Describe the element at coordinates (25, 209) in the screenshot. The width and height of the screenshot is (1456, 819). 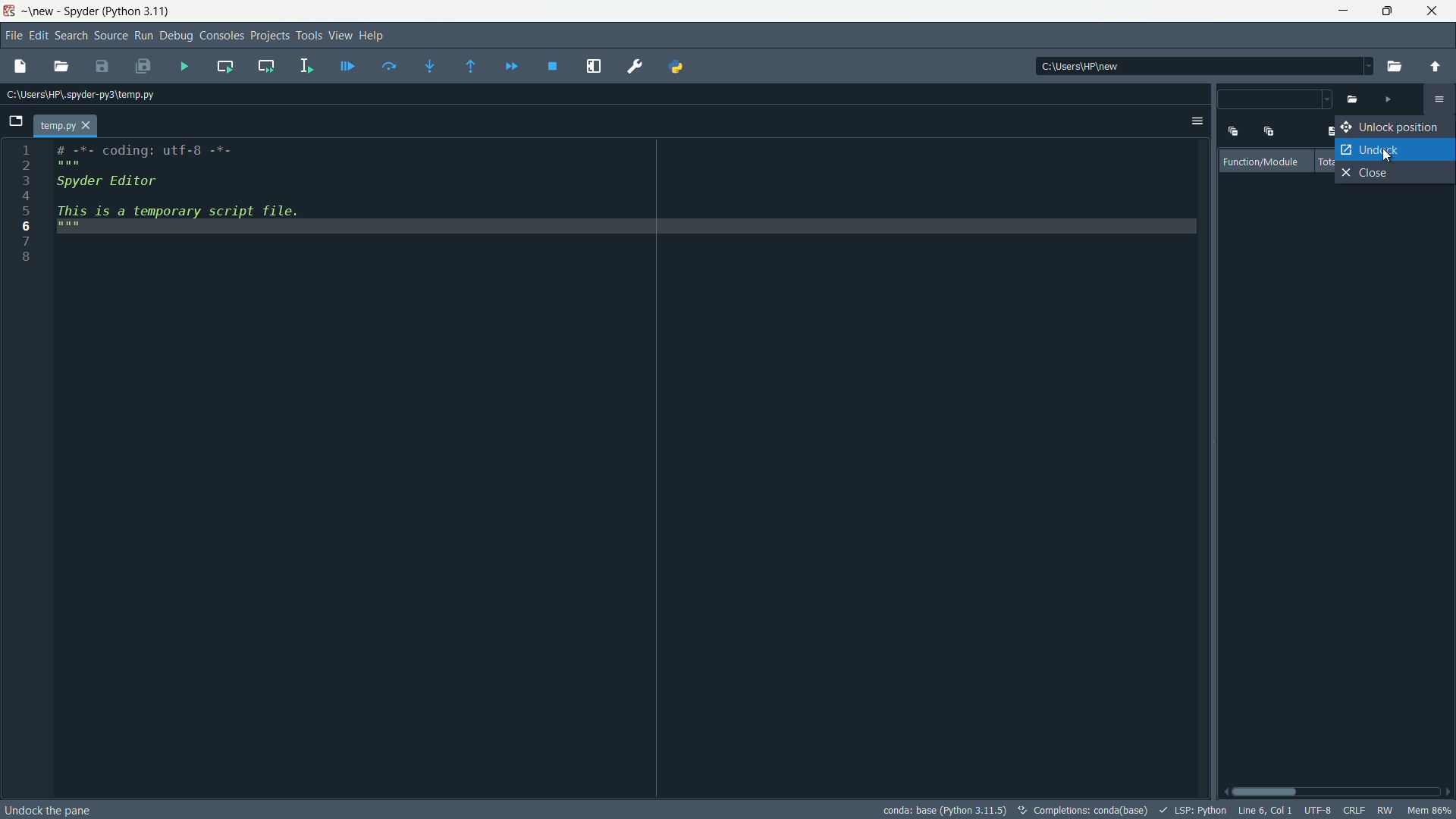
I see `5` at that location.